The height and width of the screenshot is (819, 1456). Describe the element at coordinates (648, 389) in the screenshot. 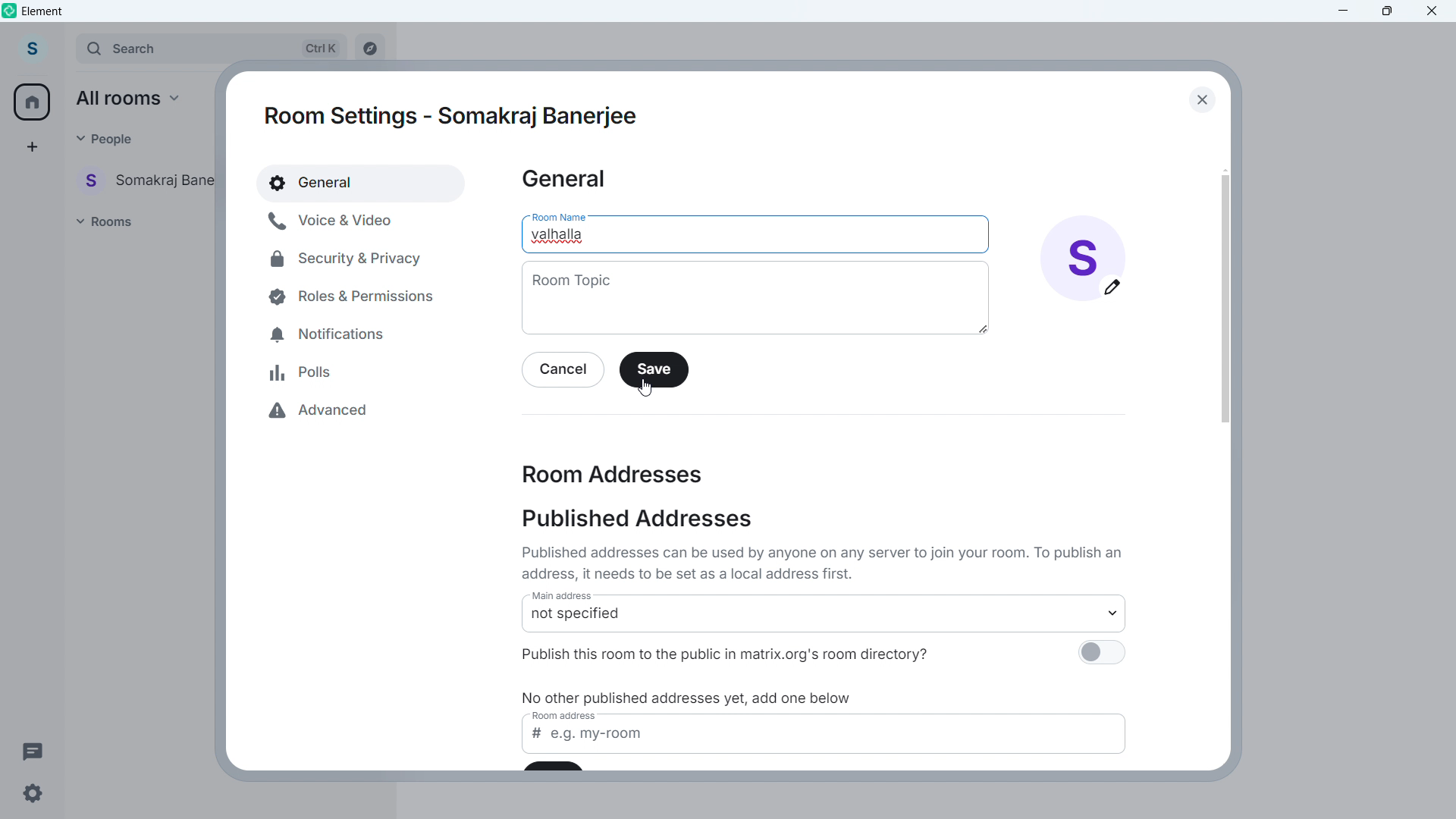

I see `cursor movement` at that location.